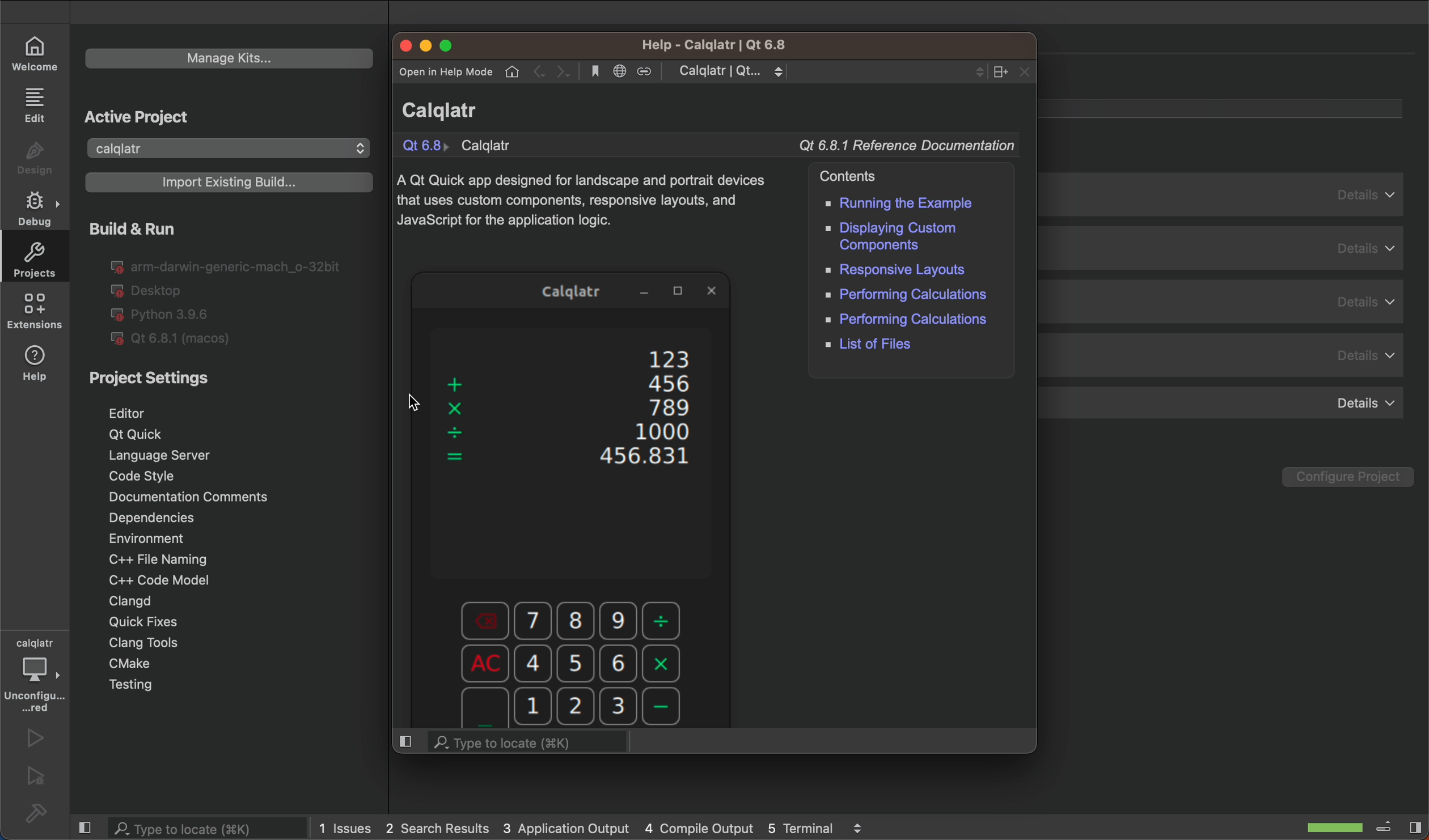  What do you see at coordinates (35, 368) in the screenshot?
I see `help` at bounding box center [35, 368].